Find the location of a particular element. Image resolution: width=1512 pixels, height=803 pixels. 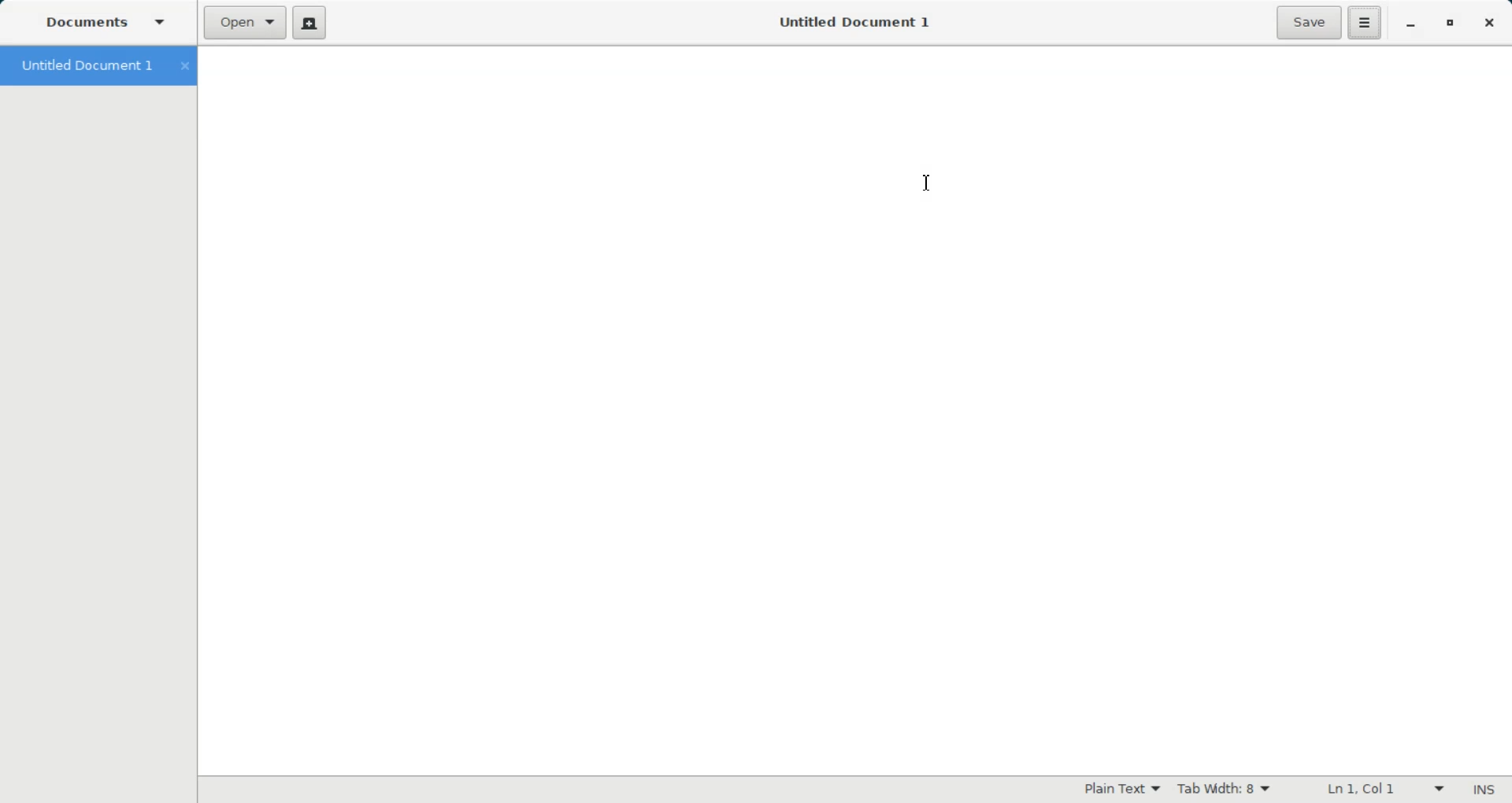

Insert is located at coordinates (1482, 791).